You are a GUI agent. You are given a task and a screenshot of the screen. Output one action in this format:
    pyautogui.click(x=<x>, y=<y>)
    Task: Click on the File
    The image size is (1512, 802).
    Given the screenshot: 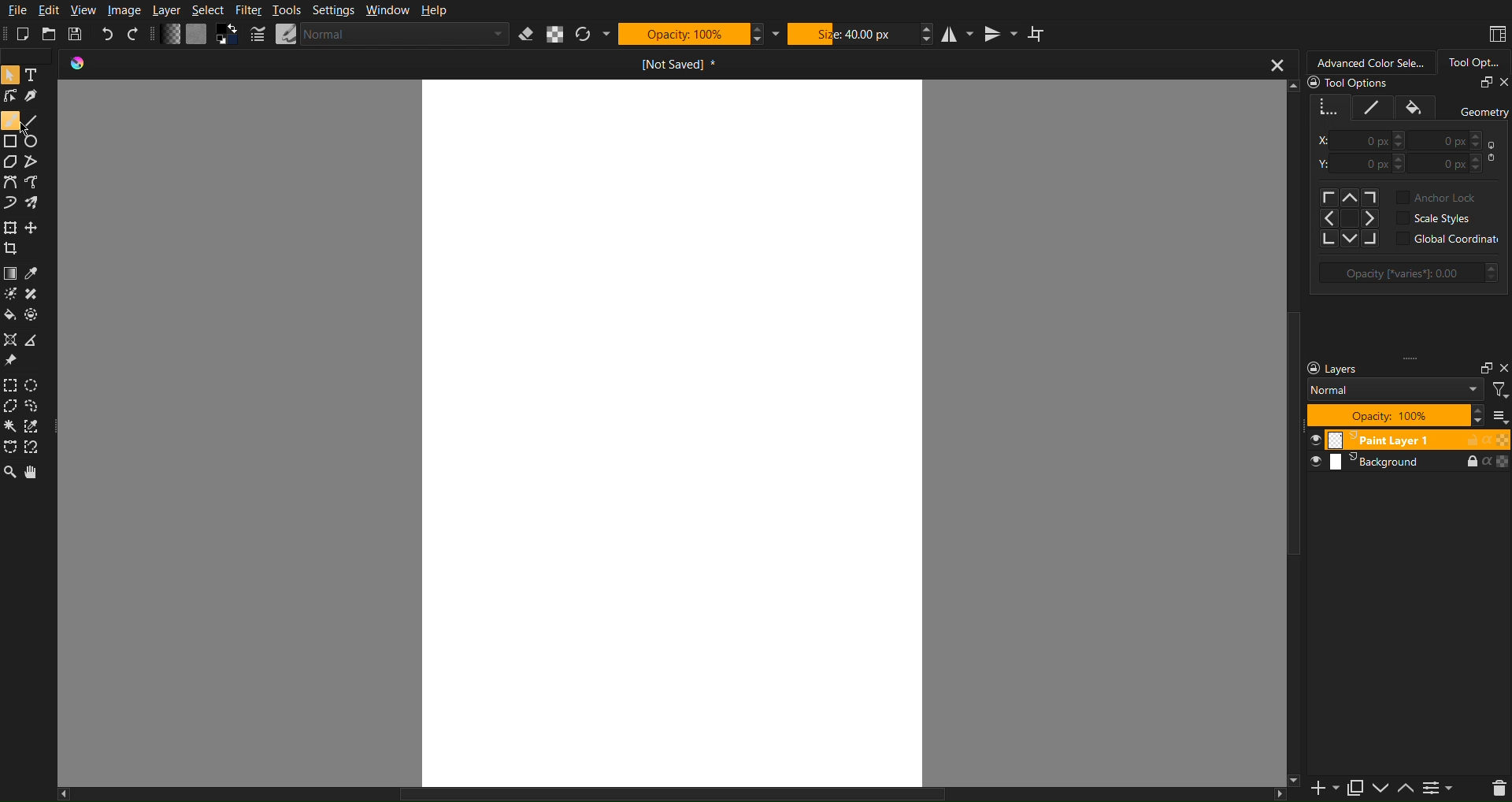 What is the action you would take?
    pyautogui.click(x=15, y=9)
    